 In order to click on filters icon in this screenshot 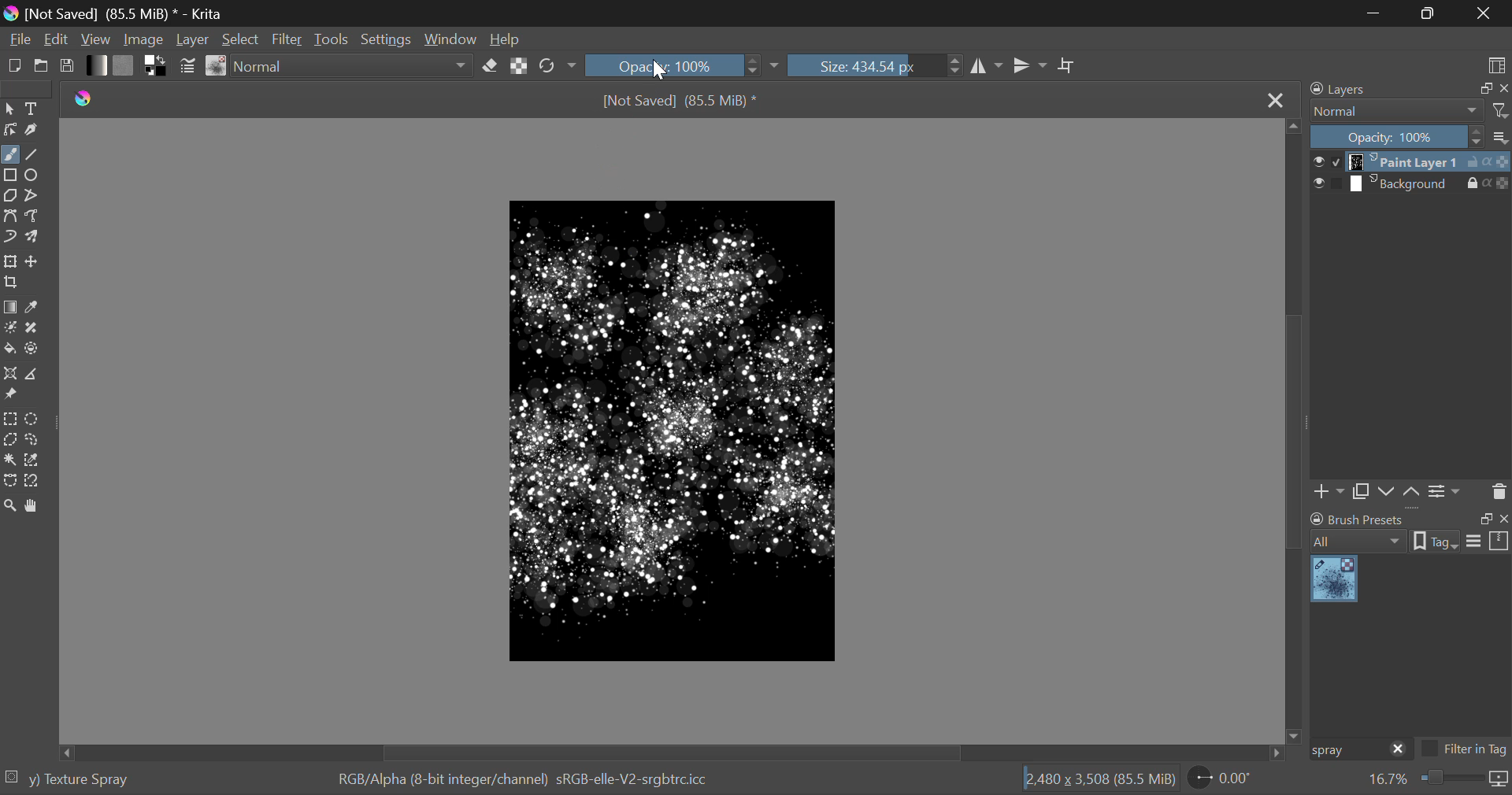, I will do `click(1501, 109)`.